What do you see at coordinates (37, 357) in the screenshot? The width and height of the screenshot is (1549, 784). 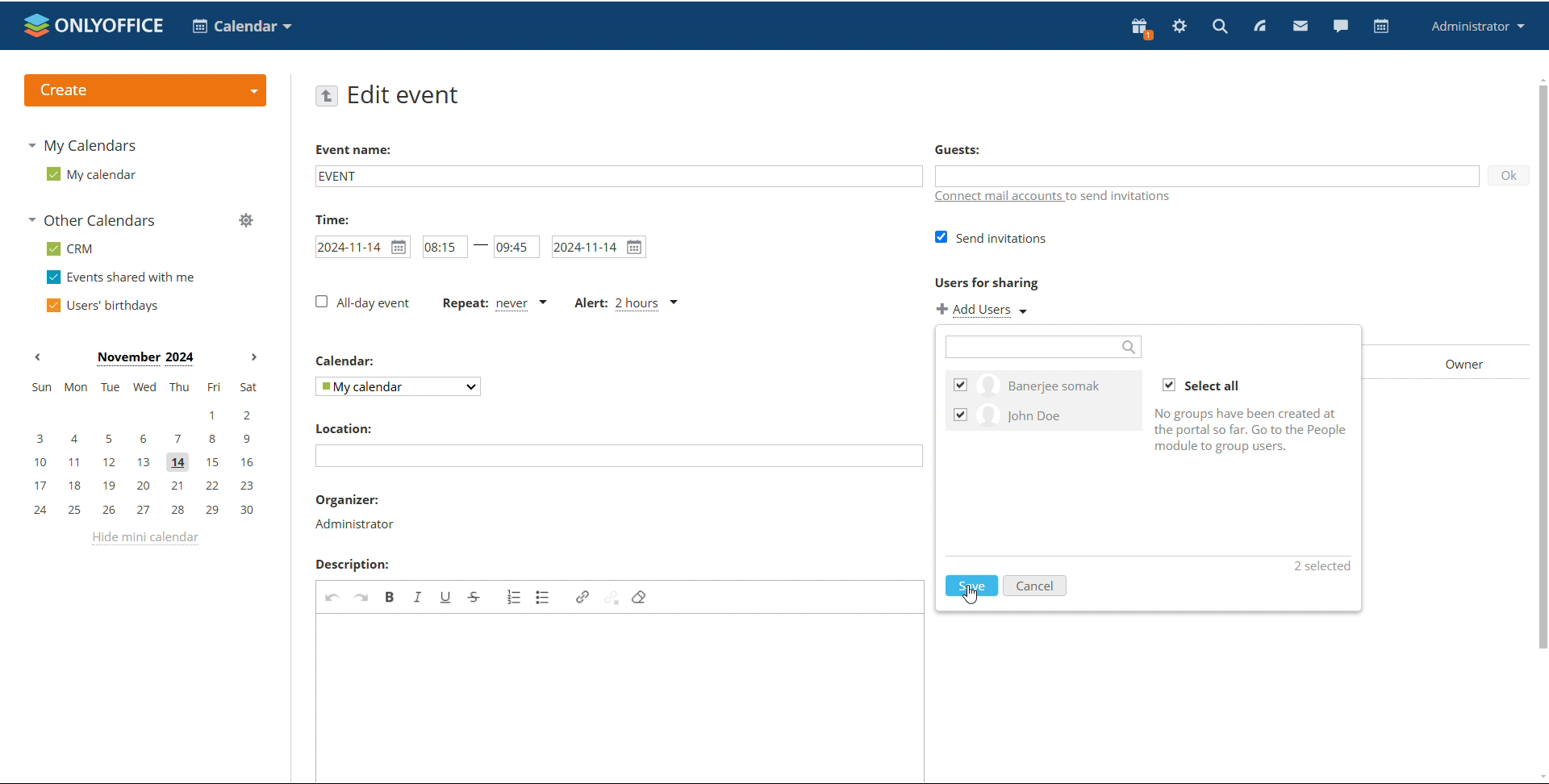 I see `previous month` at bounding box center [37, 357].